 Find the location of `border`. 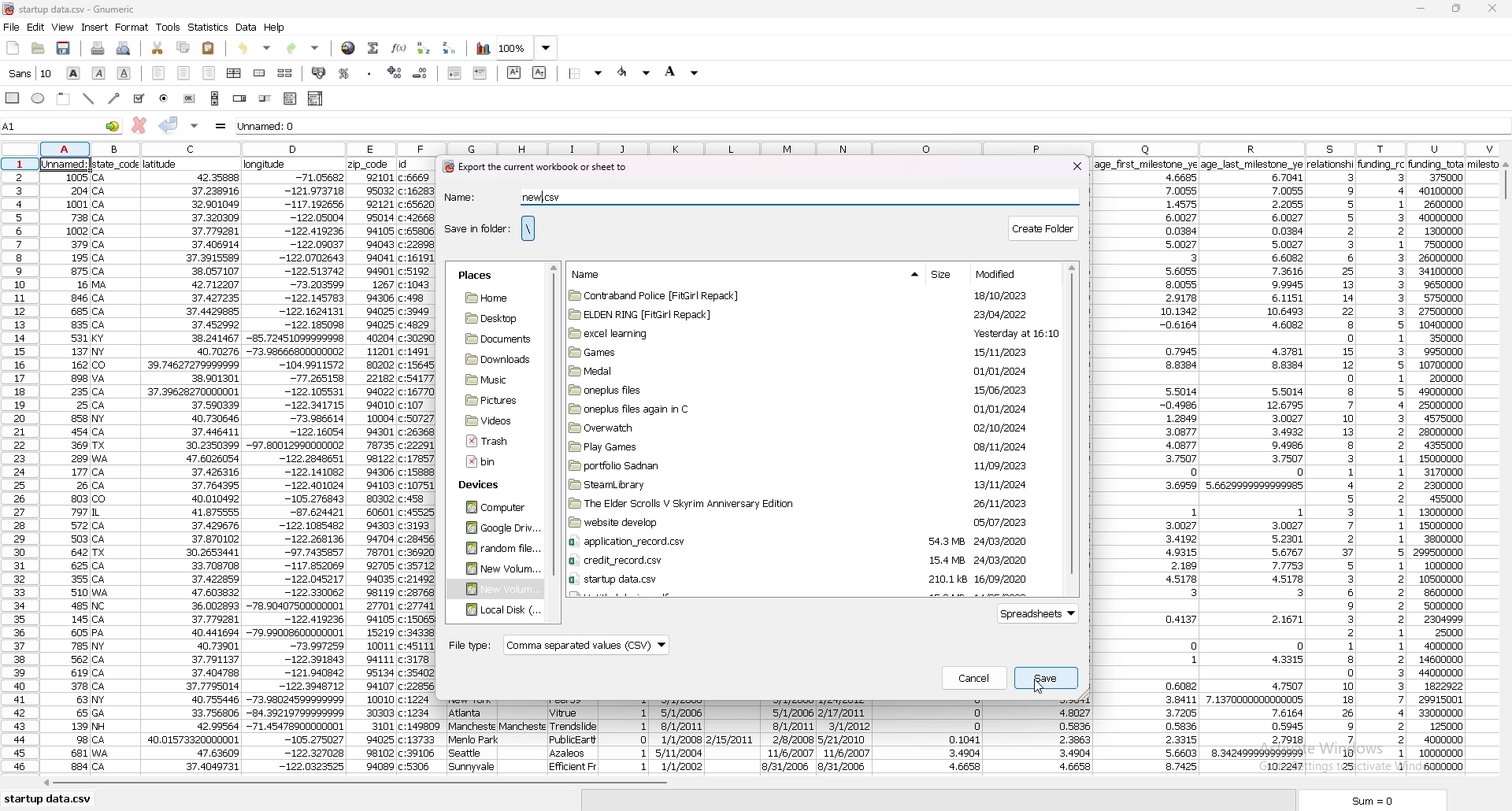

border is located at coordinates (587, 72).